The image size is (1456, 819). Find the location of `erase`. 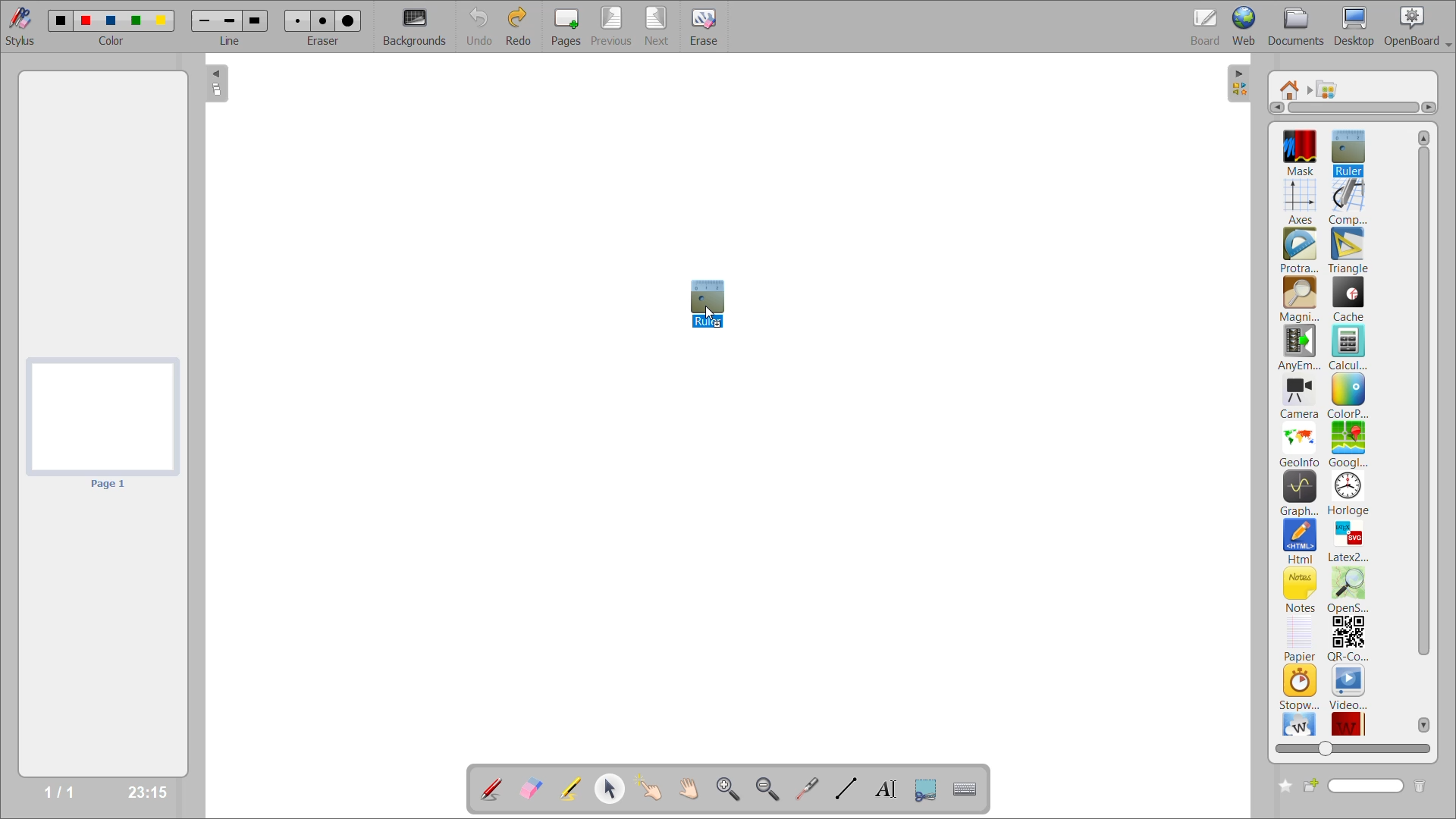

erase is located at coordinates (710, 27).